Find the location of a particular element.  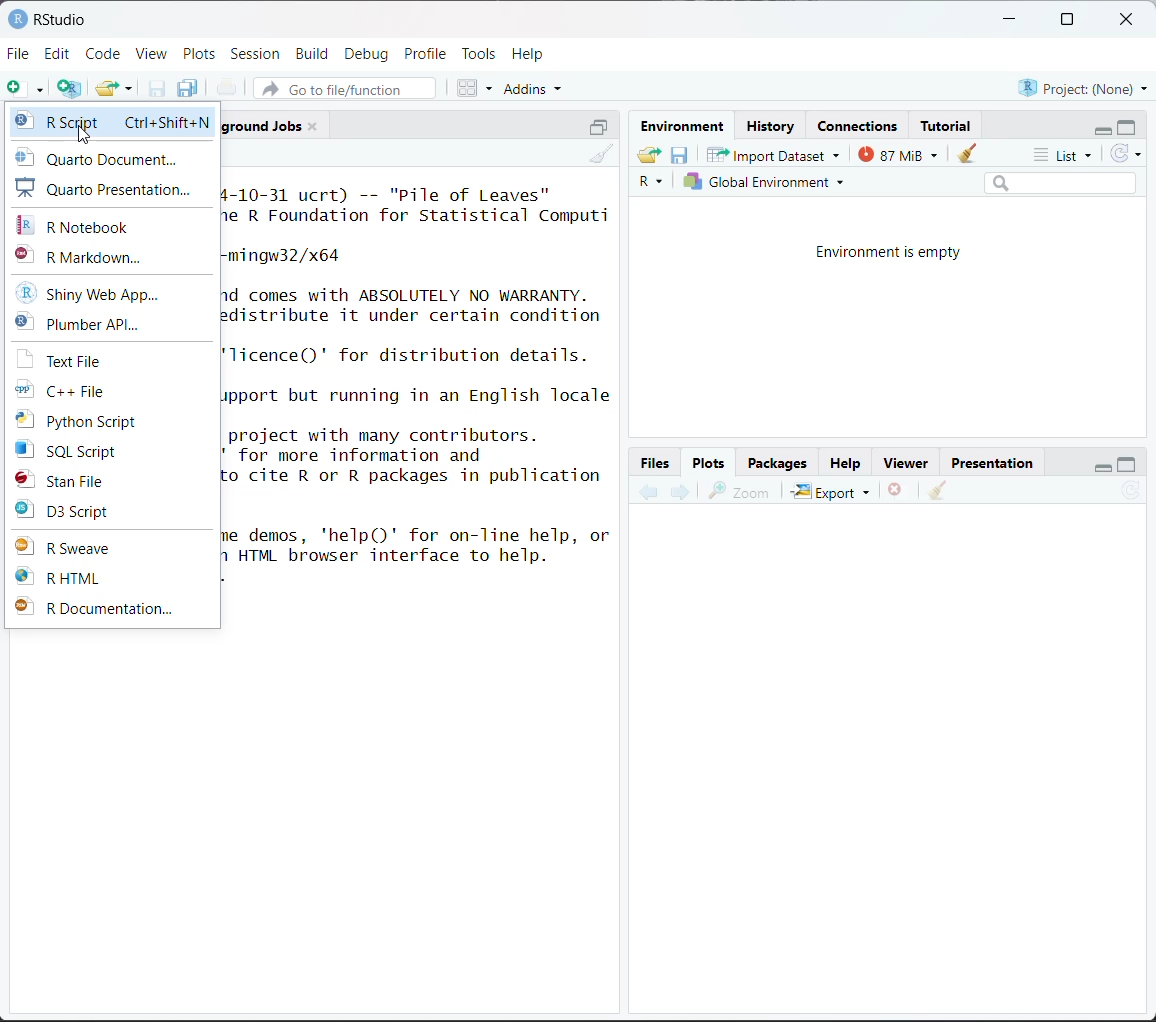

remove the current plot is located at coordinates (896, 493).